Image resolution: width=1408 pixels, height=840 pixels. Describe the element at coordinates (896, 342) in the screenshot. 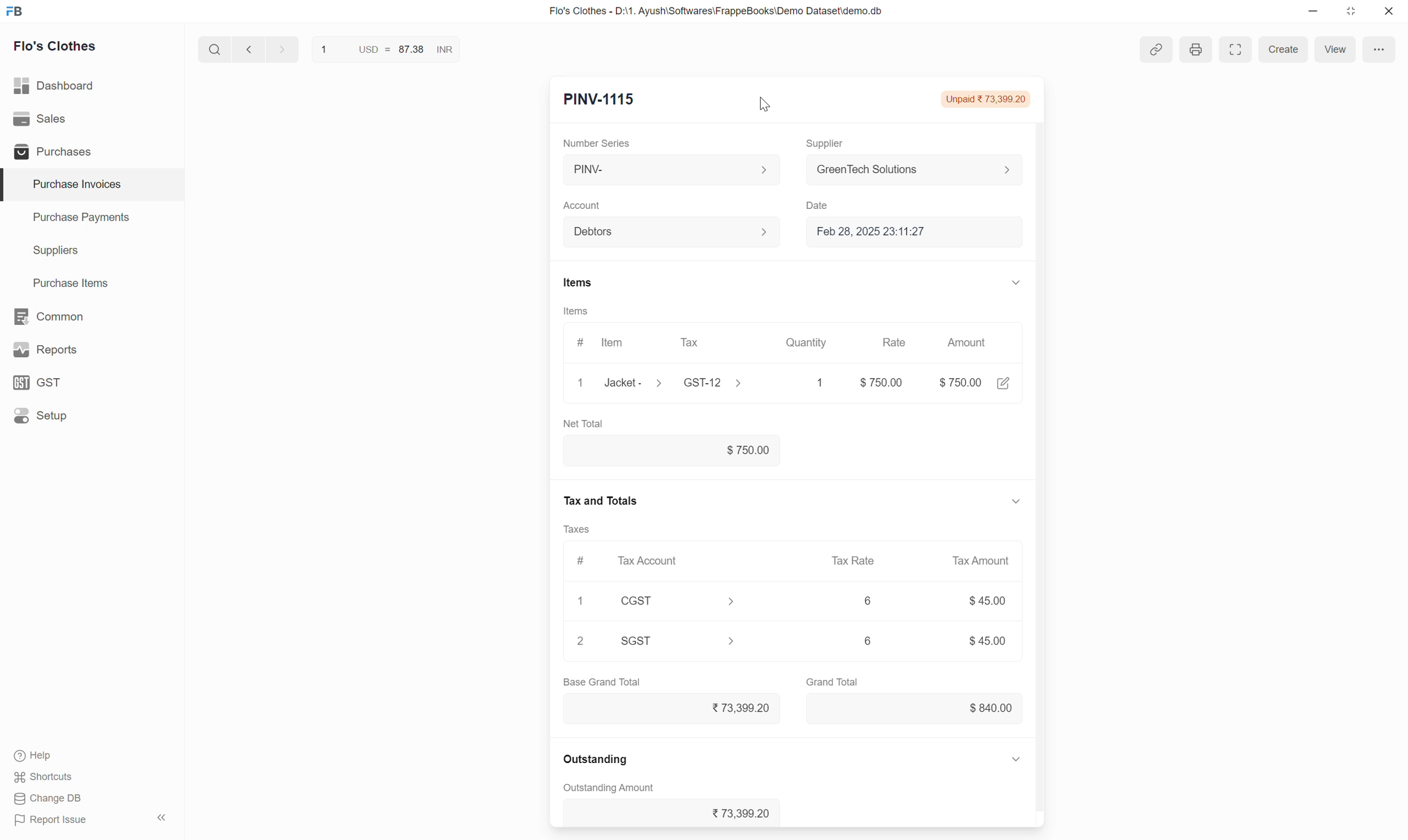

I see `Rate` at that location.